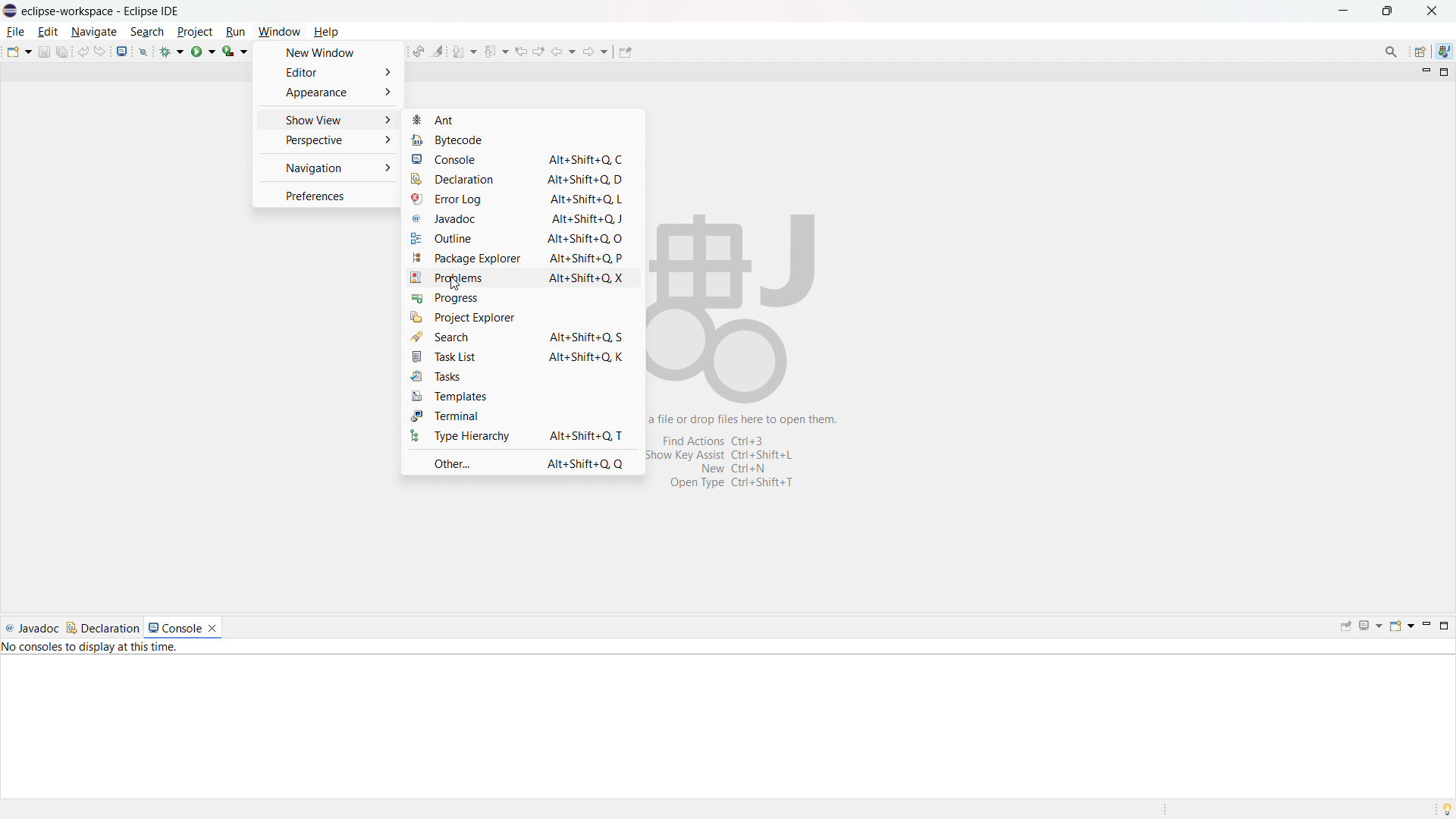 The width and height of the screenshot is (1456, 819). I want to click on run, so click(236, 32).